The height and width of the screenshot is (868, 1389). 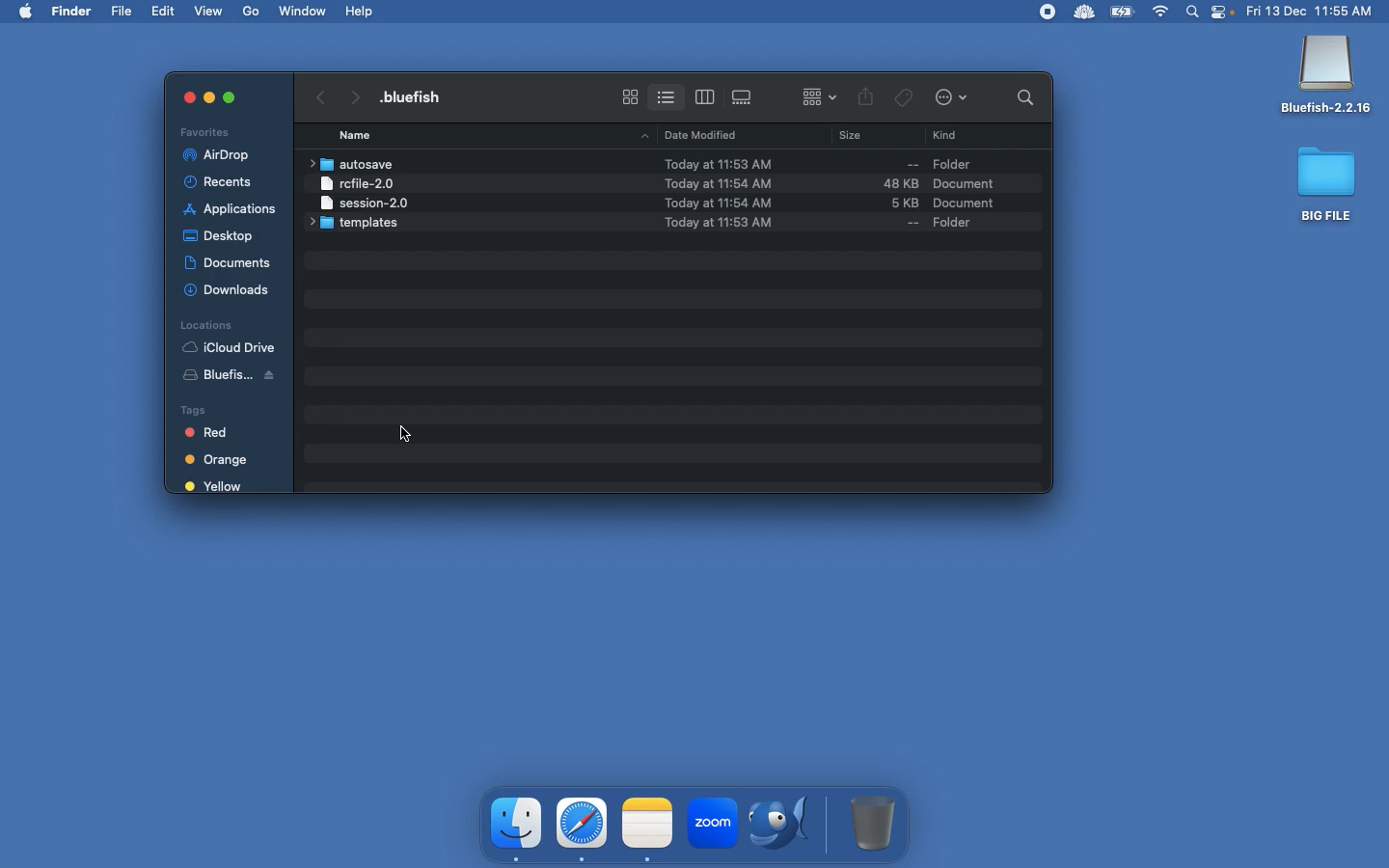 What do you see at coordinates (207, 131) in the screenshot?
I see `Favorites` at bounding box center [207, 131].